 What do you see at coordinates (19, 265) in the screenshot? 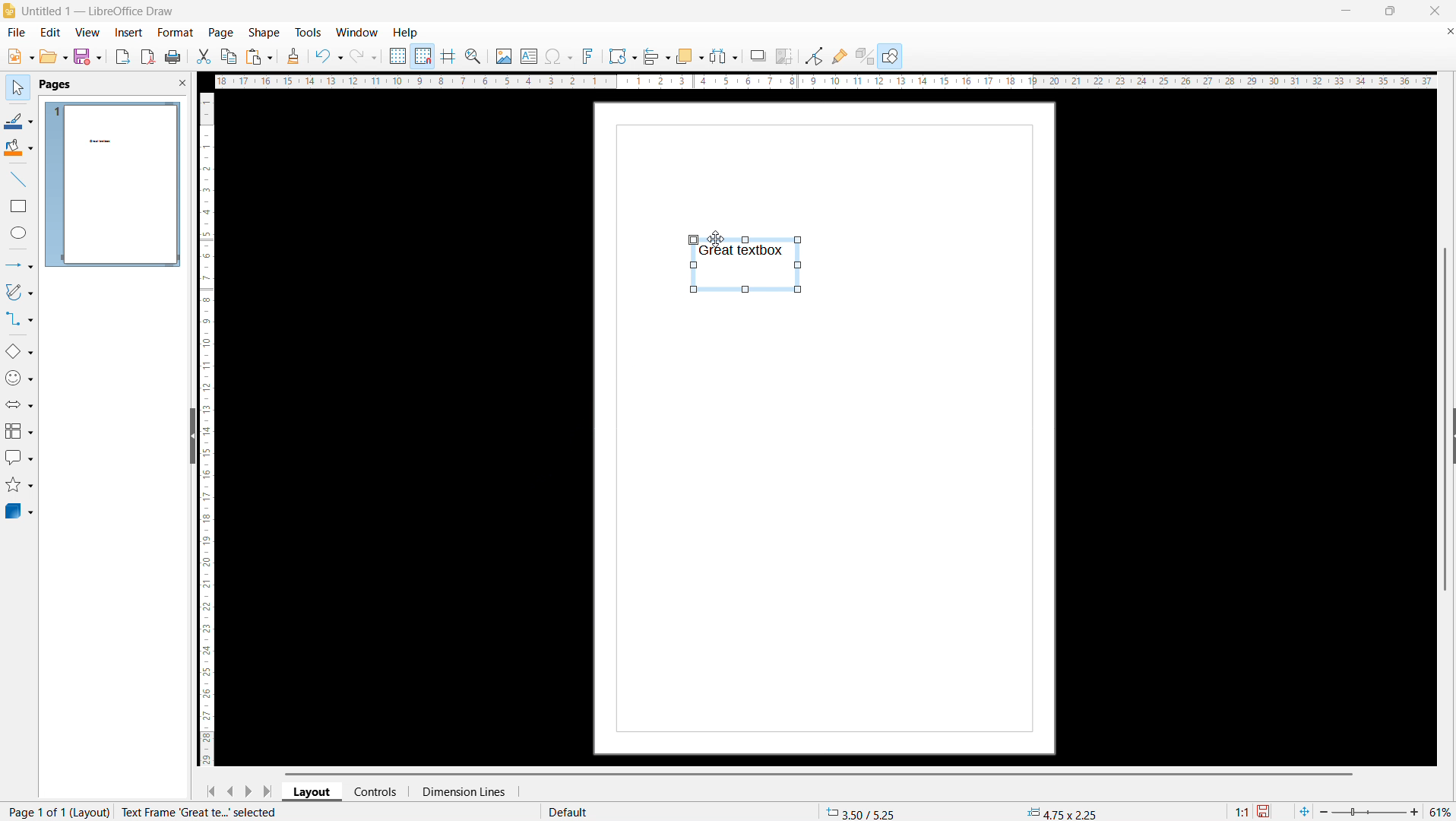
I see `lines and arrows` at bounding box center [19, 265].